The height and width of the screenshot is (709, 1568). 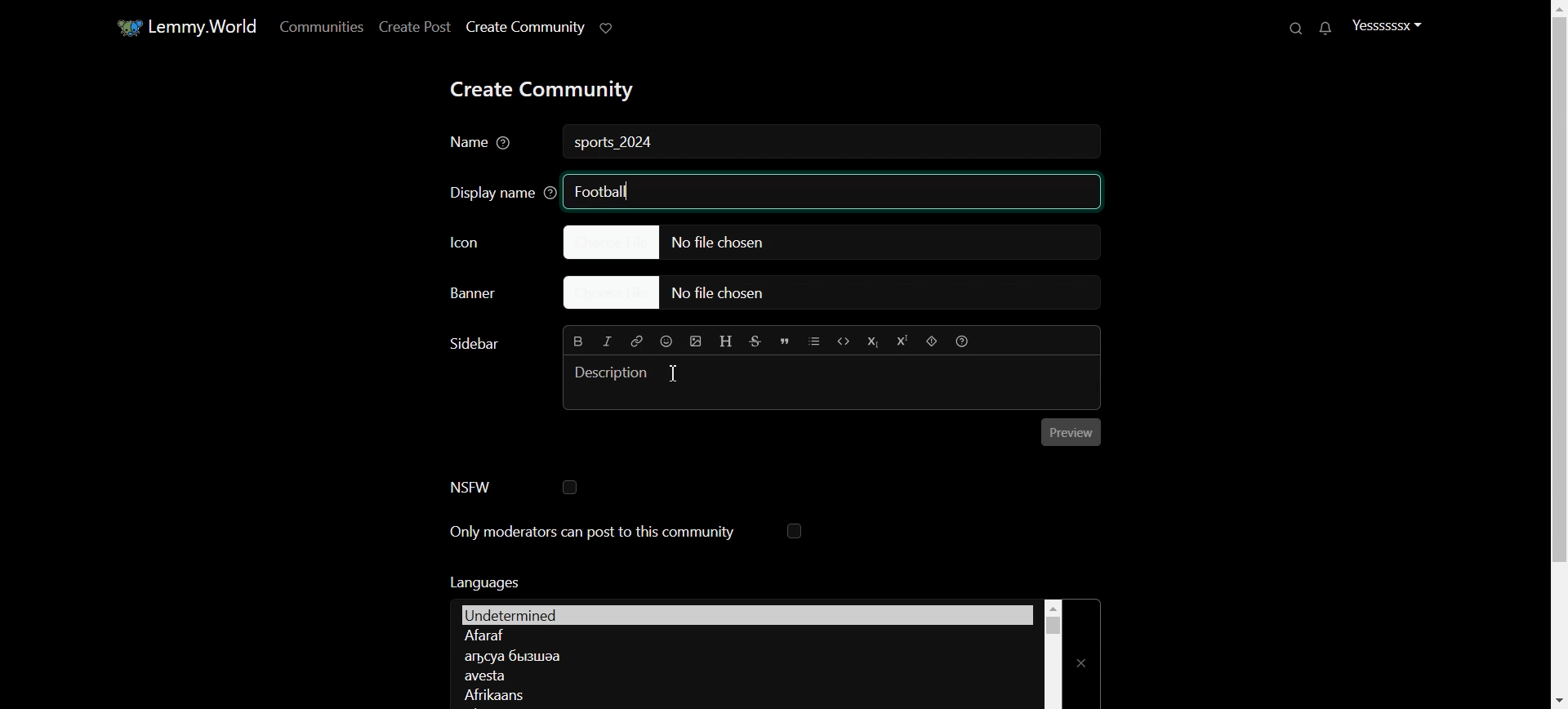 What do you see at coordinates (696, 341) in the screenshot?
I see `Insert Picture` at bounding box center [696, 341].